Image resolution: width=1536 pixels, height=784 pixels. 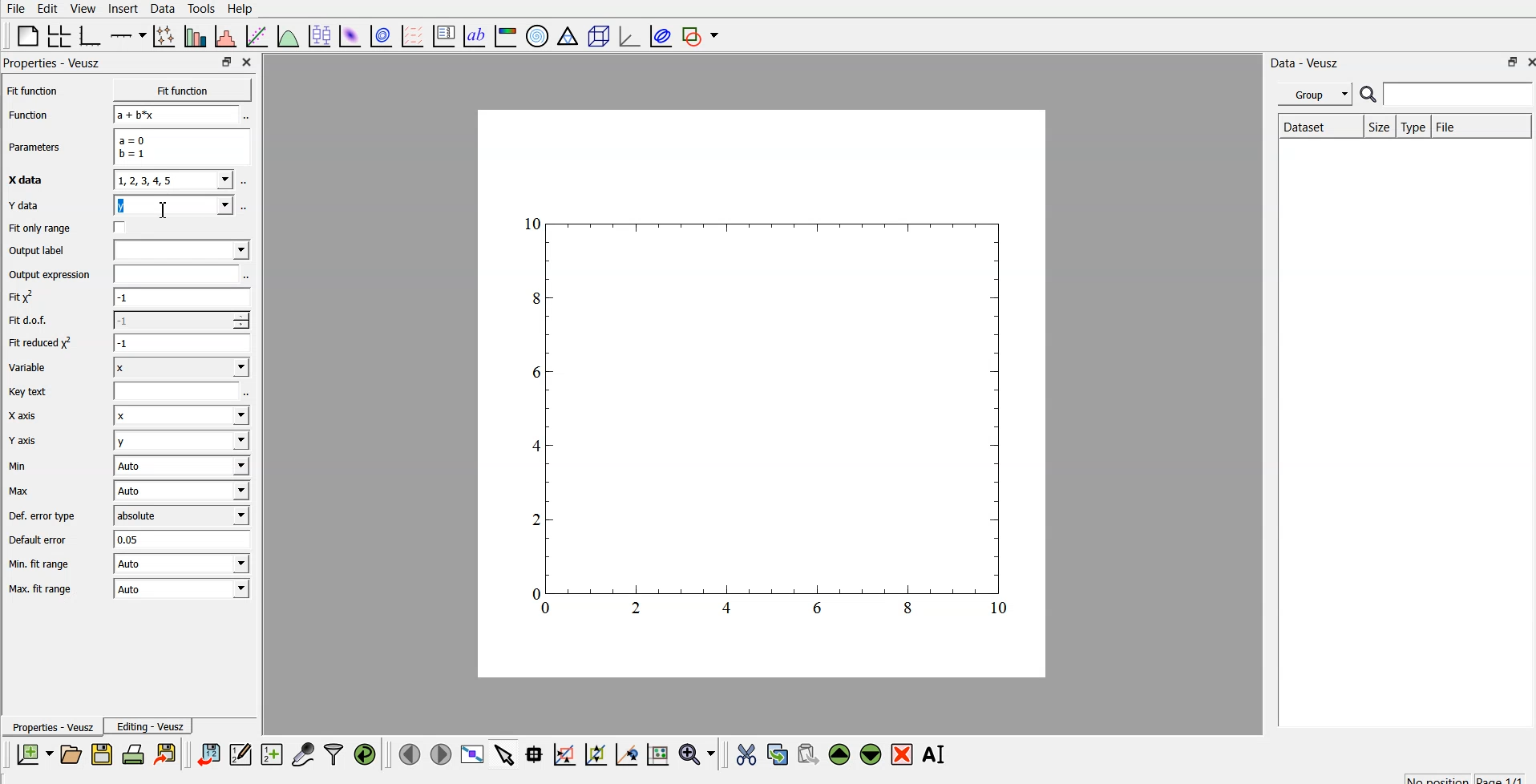 What do you see at coordinates (121, 8) in the screenshot?
I see `insert` at bounding box center [121, 8].